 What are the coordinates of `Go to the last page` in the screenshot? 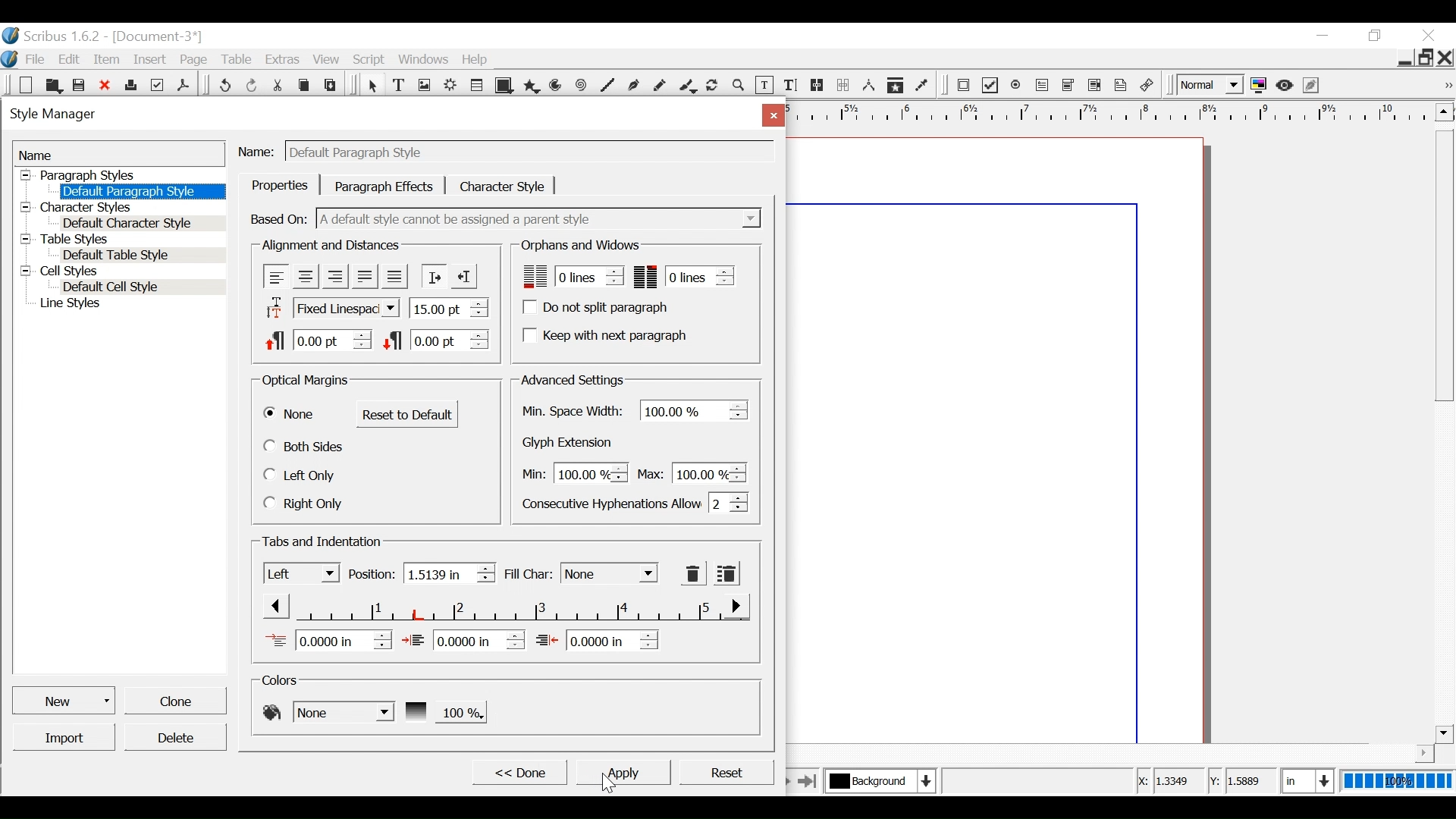 It's located at (808, 780).